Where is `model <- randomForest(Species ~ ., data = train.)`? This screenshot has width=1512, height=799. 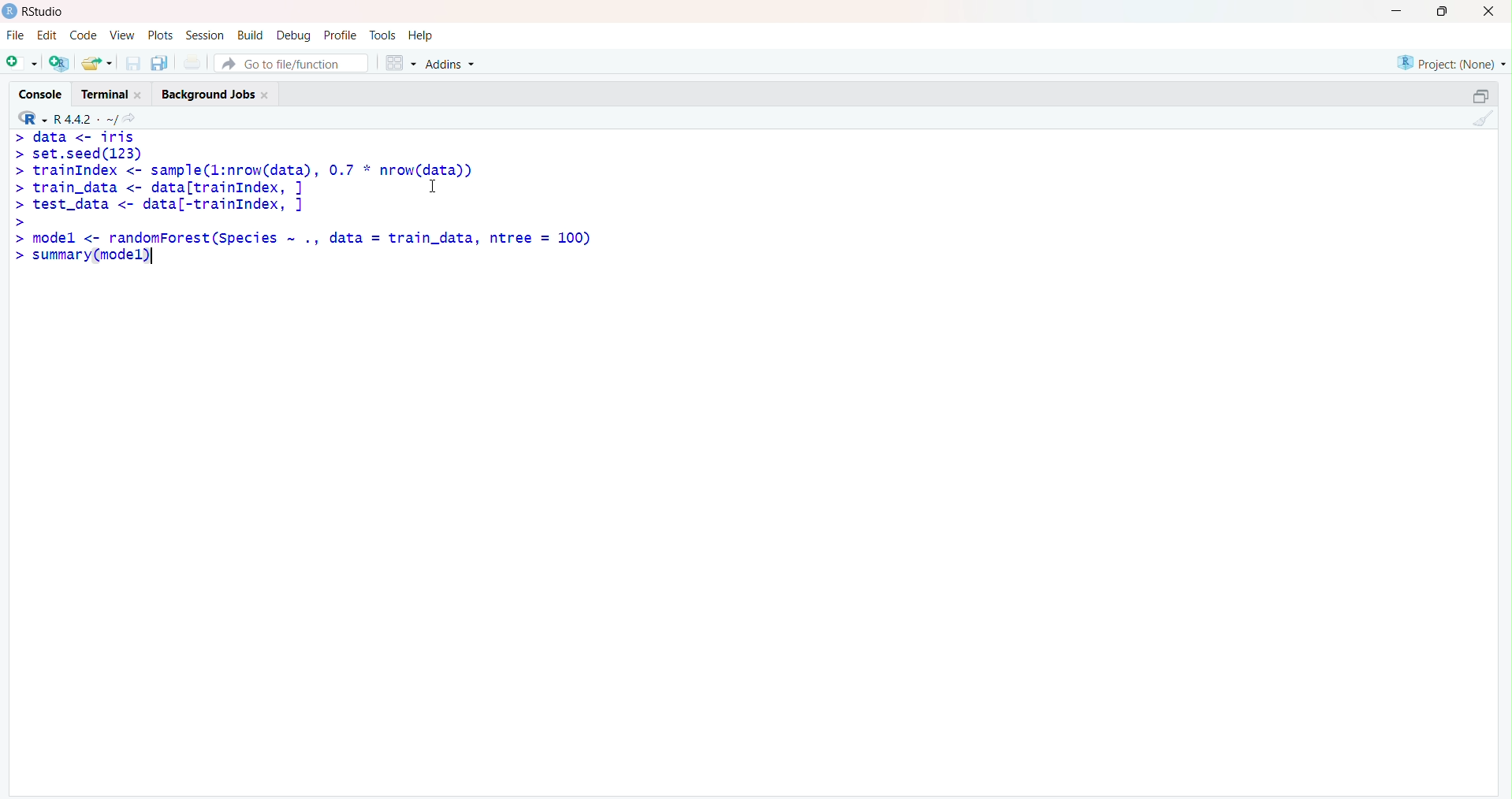 model <- randomForest(Species ~ ., data = train.) is located at coordinates (316, 238).